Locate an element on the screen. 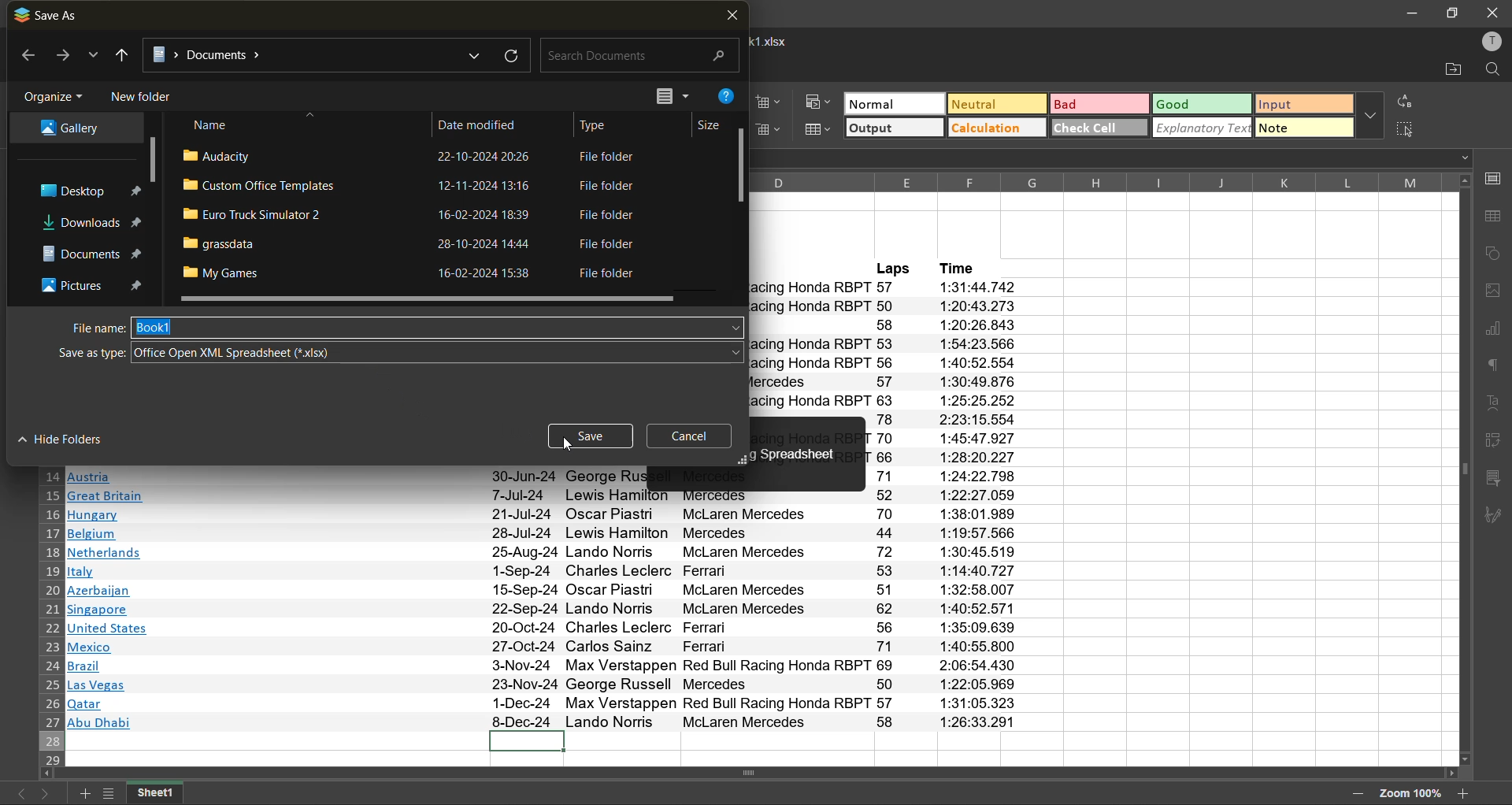 The height and width of the screenshot is (805, 1512). input is located at coordinates (1304, 103).